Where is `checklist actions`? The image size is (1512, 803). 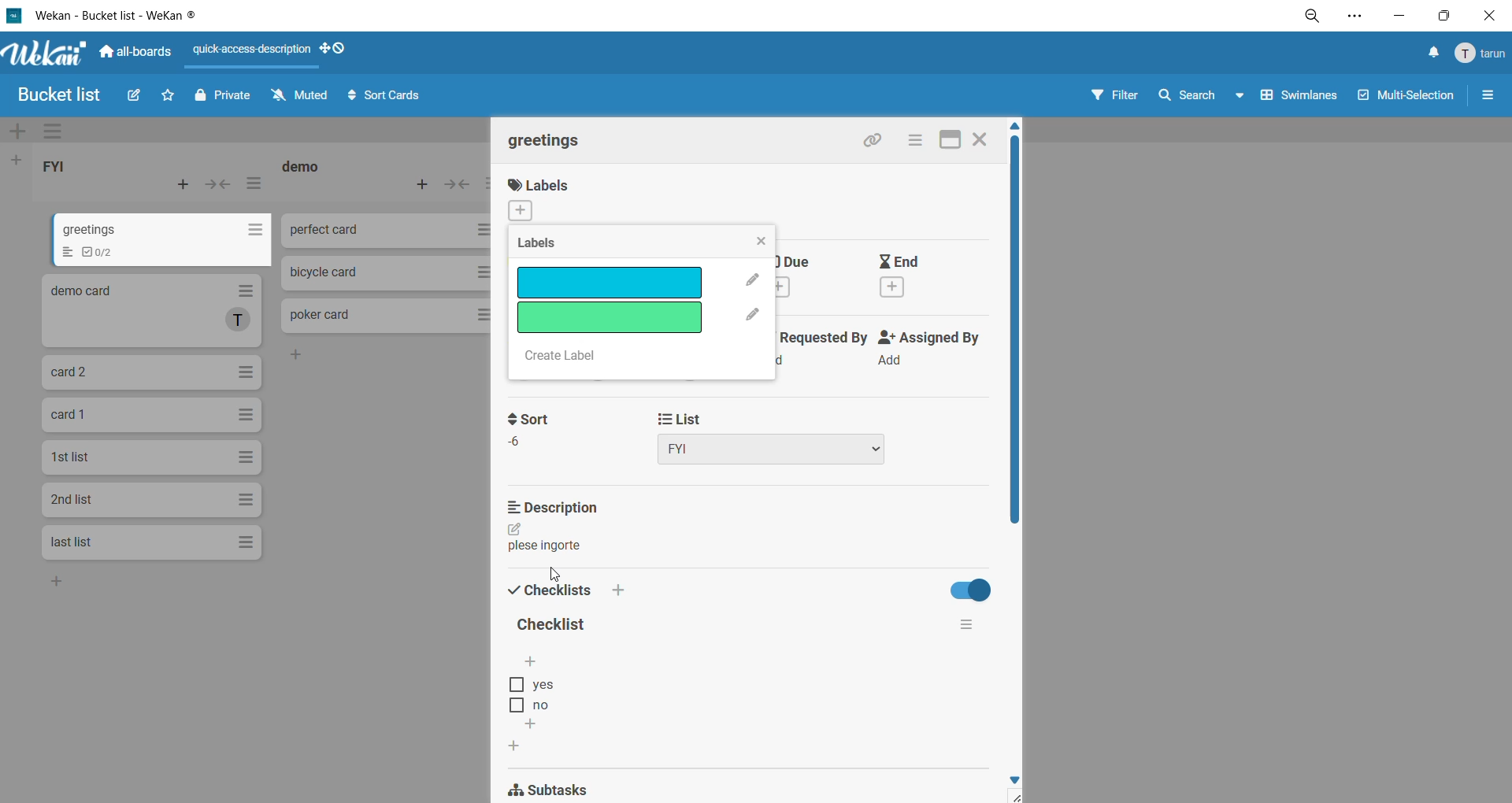 checklist actions is located at coordinates (967, 627).